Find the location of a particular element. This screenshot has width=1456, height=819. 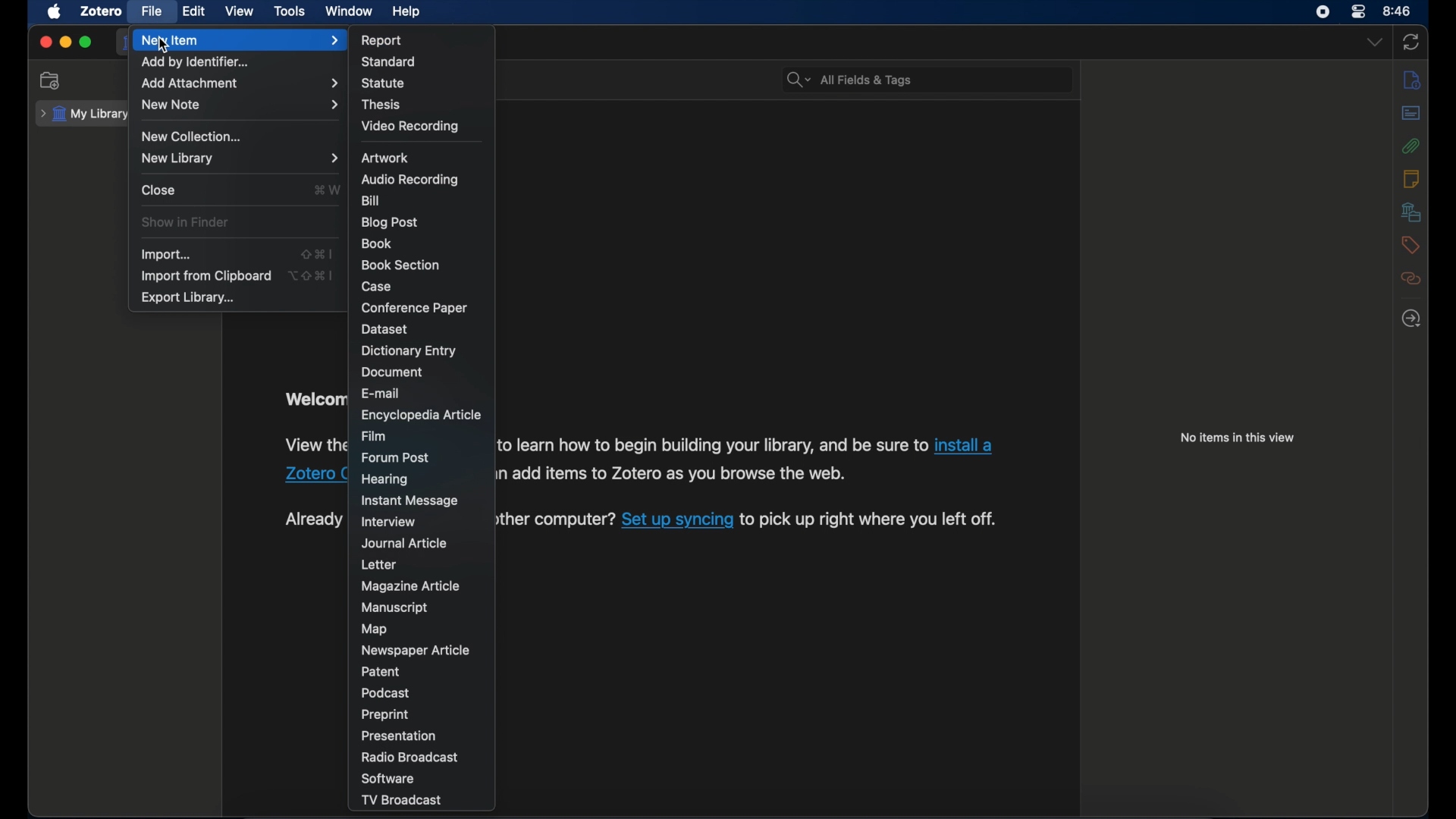

new collection is located at coordinates (193, 136).